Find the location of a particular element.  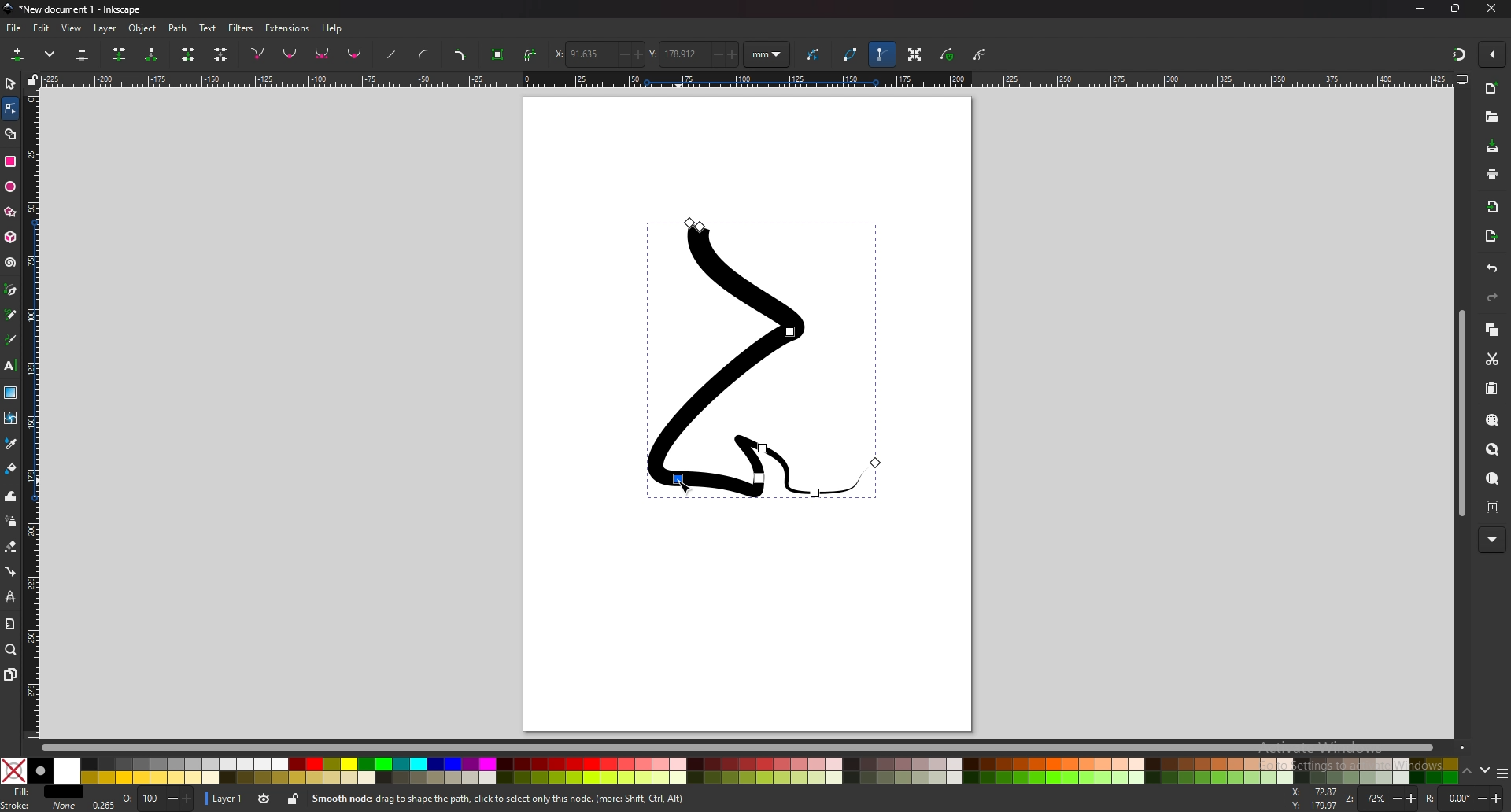

vertical scale is located at coordinates (34, 411).